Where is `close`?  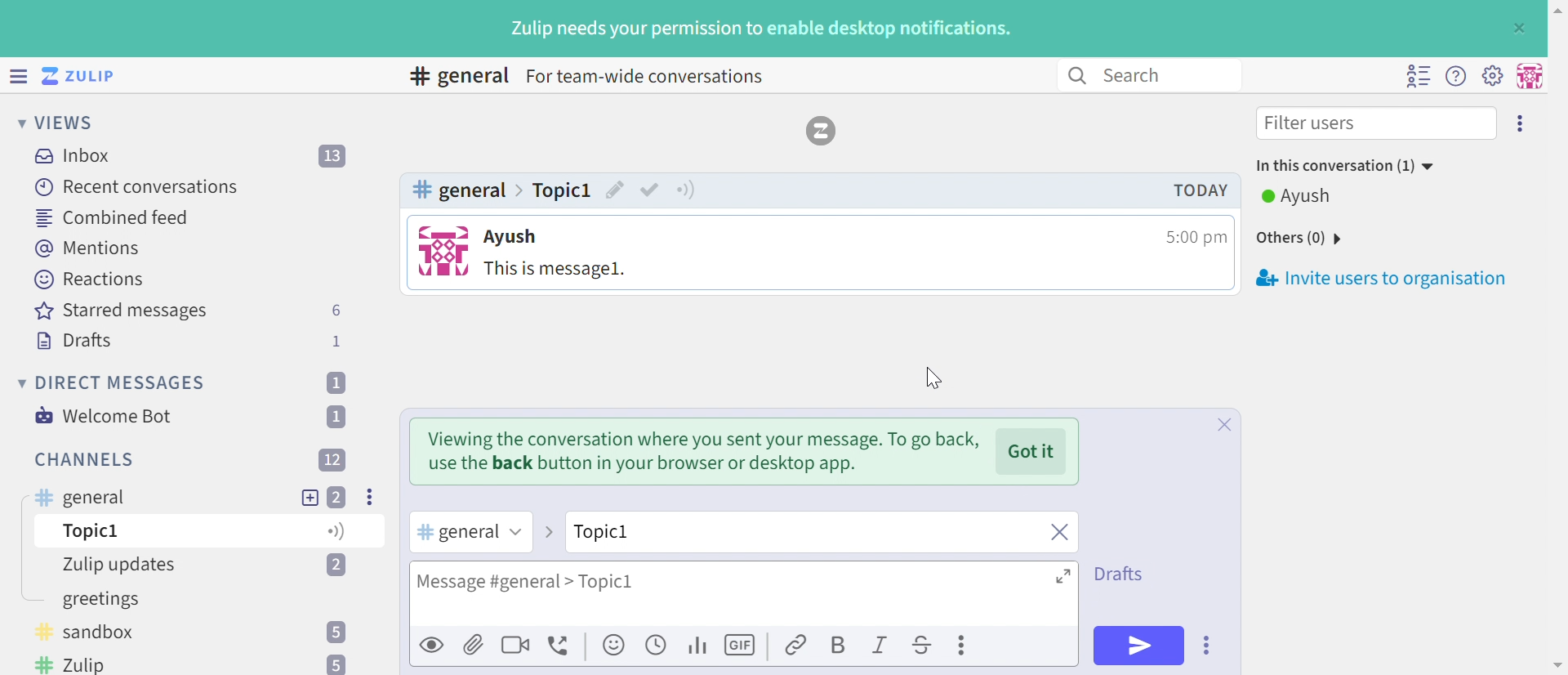
close is located at coordinates (1058, 534).